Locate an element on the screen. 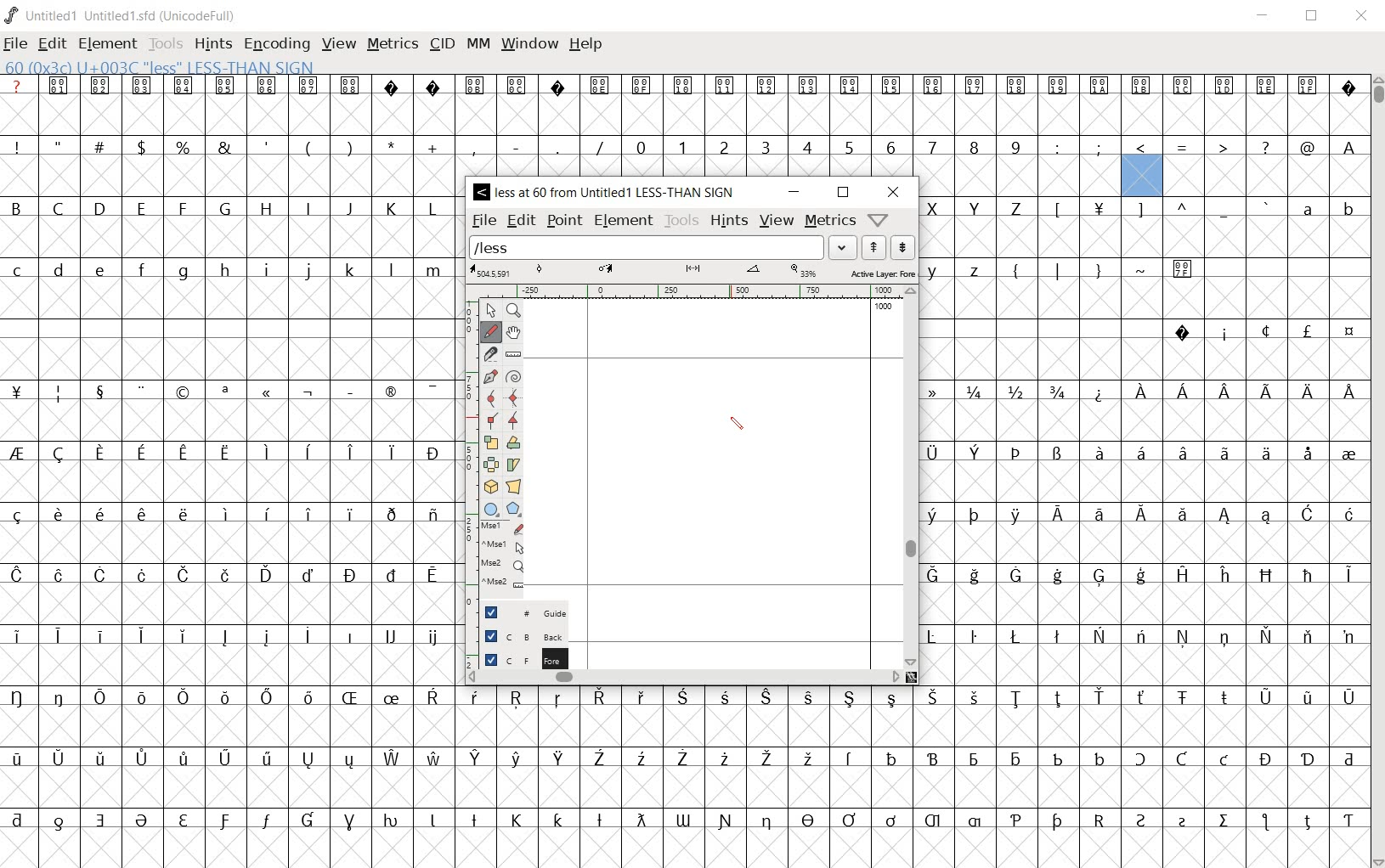  empty cells is located at coordinates (683, 726).